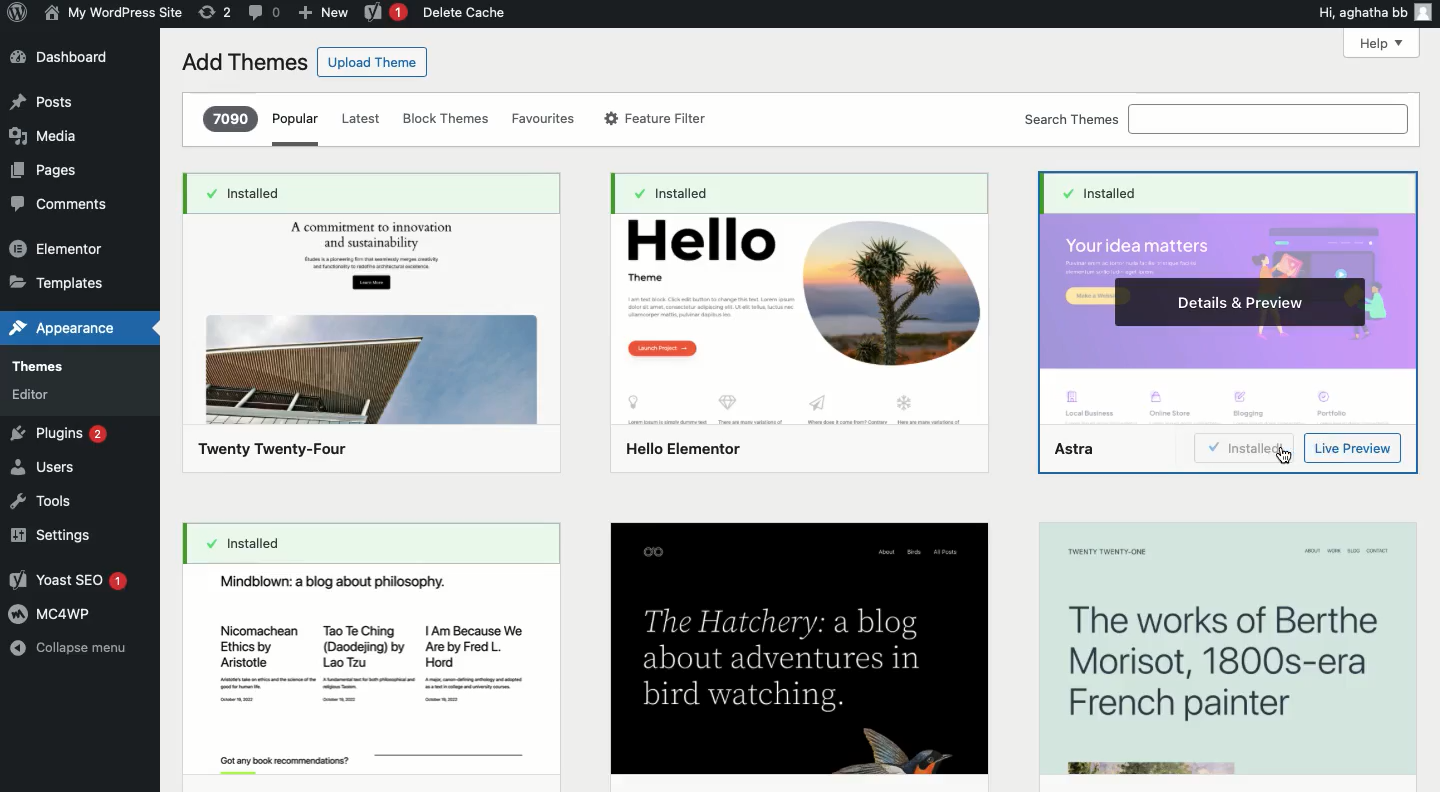 This screenshot has height=792, width=1440. Describe the element at coordinates (1427, 12) in the screenshot. I see `user icon` at that location.